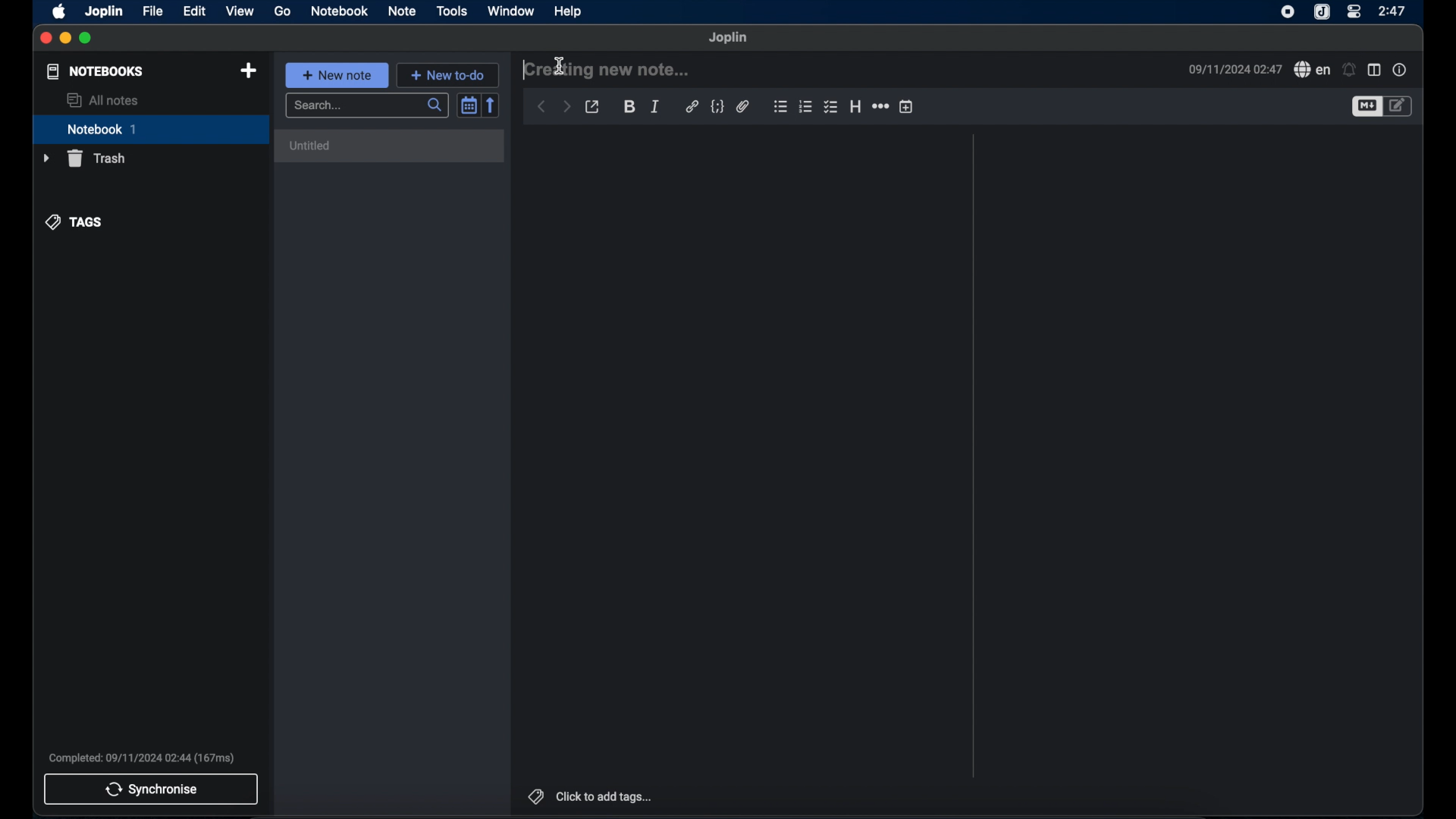 The width and height of the screenshot is (1456, 819). I want to click on divider, so click(974, 456).